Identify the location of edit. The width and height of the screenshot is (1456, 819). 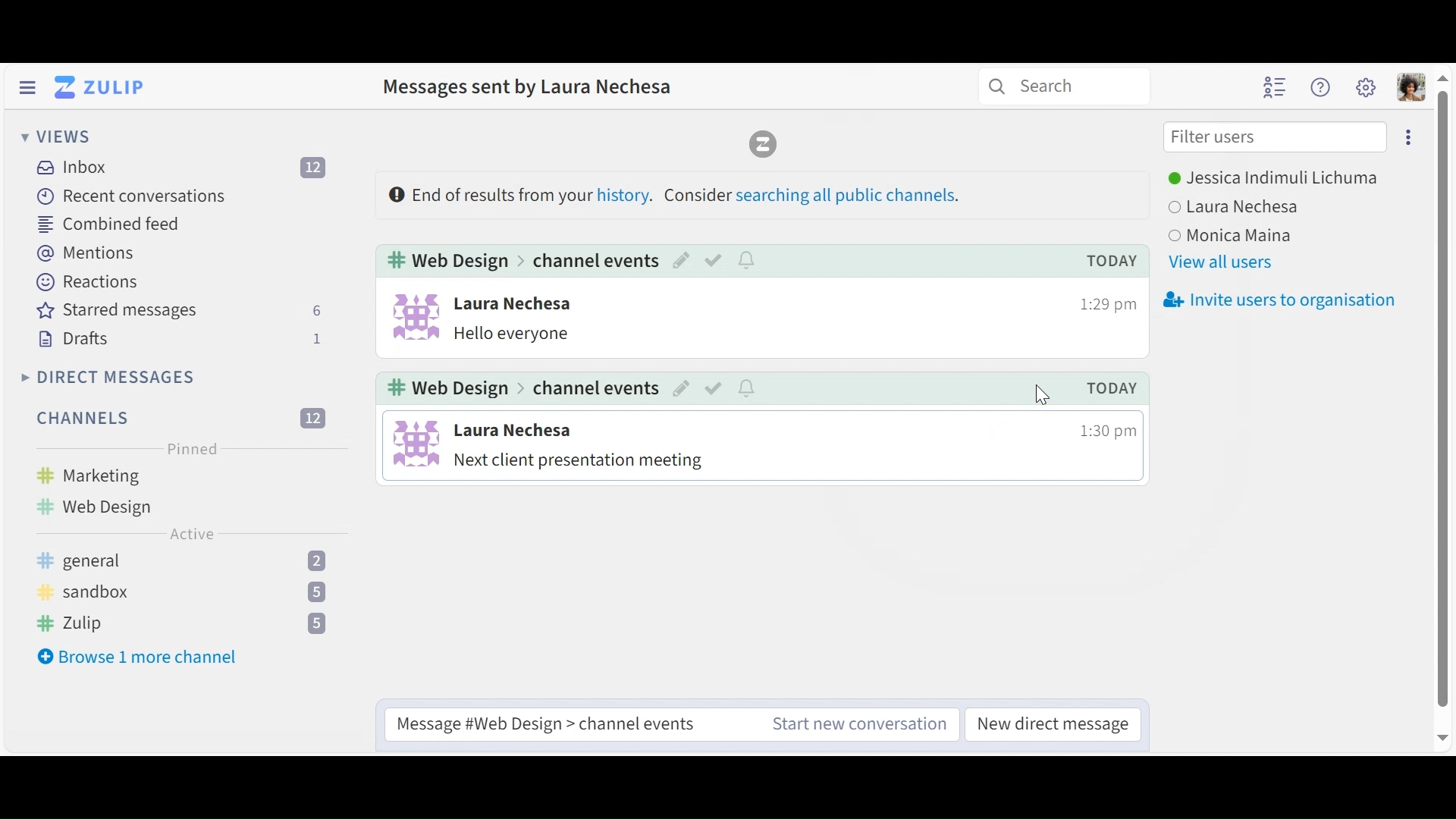
(682, 392).